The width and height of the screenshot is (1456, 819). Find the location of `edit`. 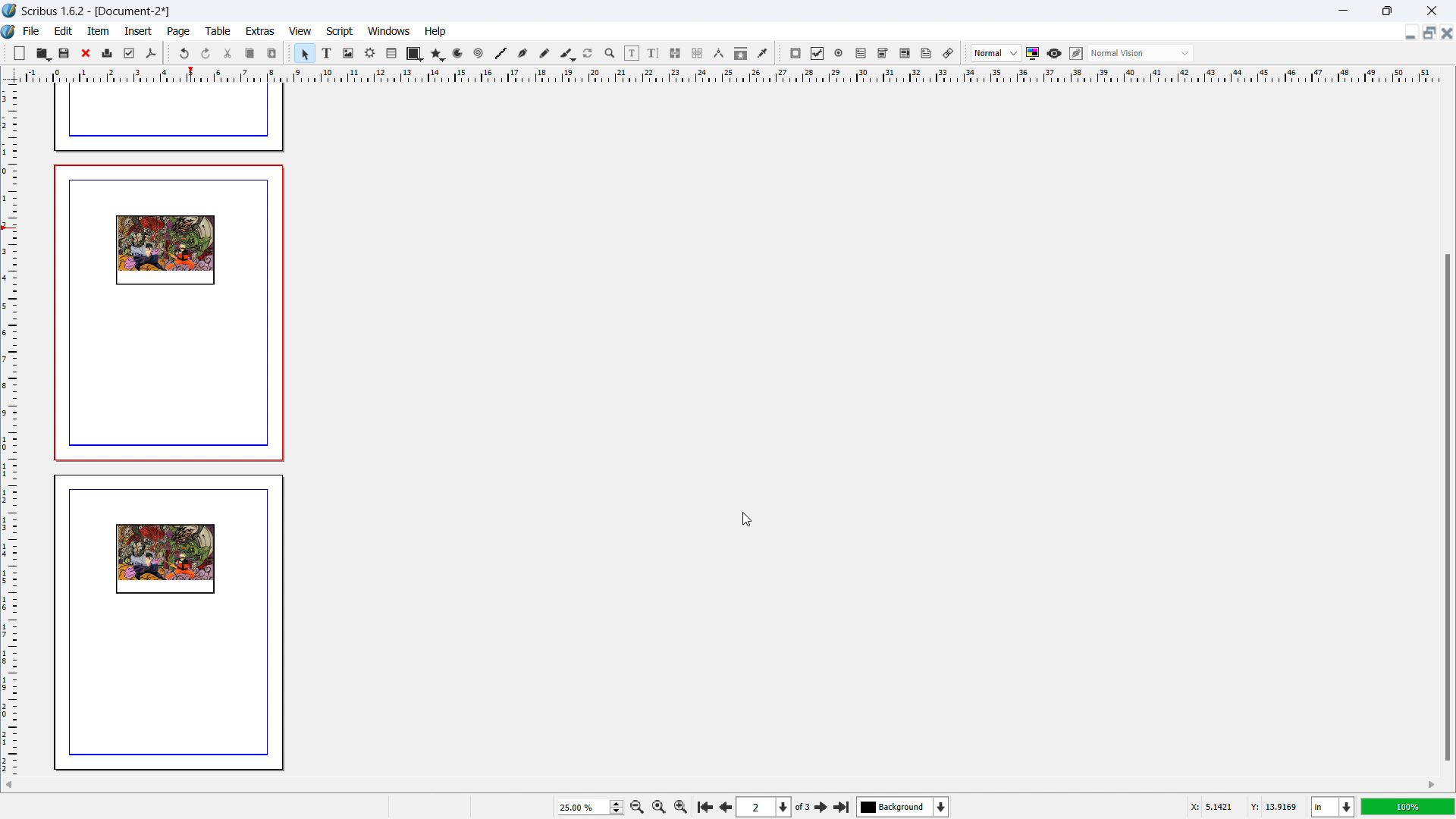

edit is located at coordinates (64, 31).